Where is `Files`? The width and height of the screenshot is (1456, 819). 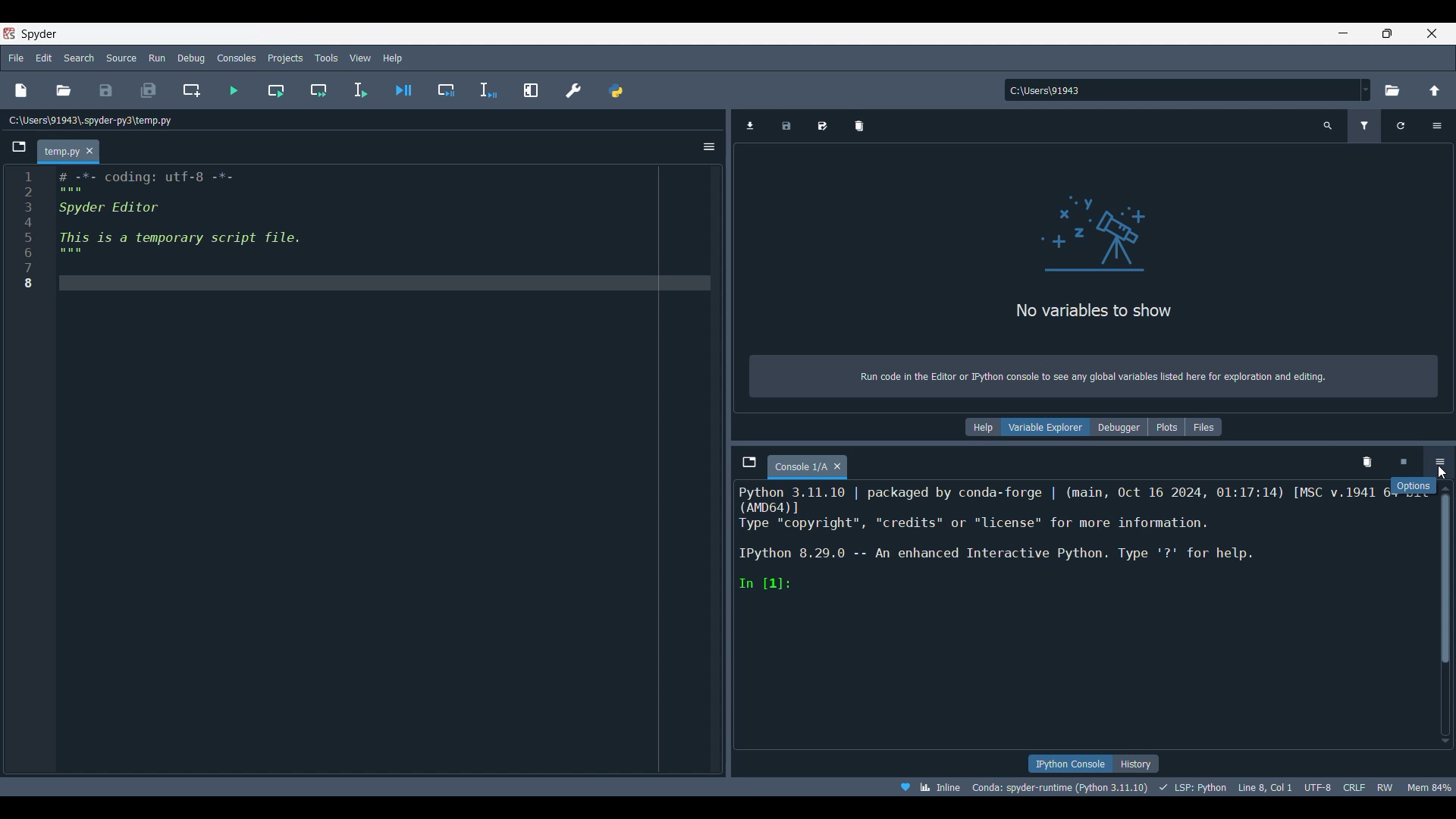
Files is located at coordinates (1203, 427).